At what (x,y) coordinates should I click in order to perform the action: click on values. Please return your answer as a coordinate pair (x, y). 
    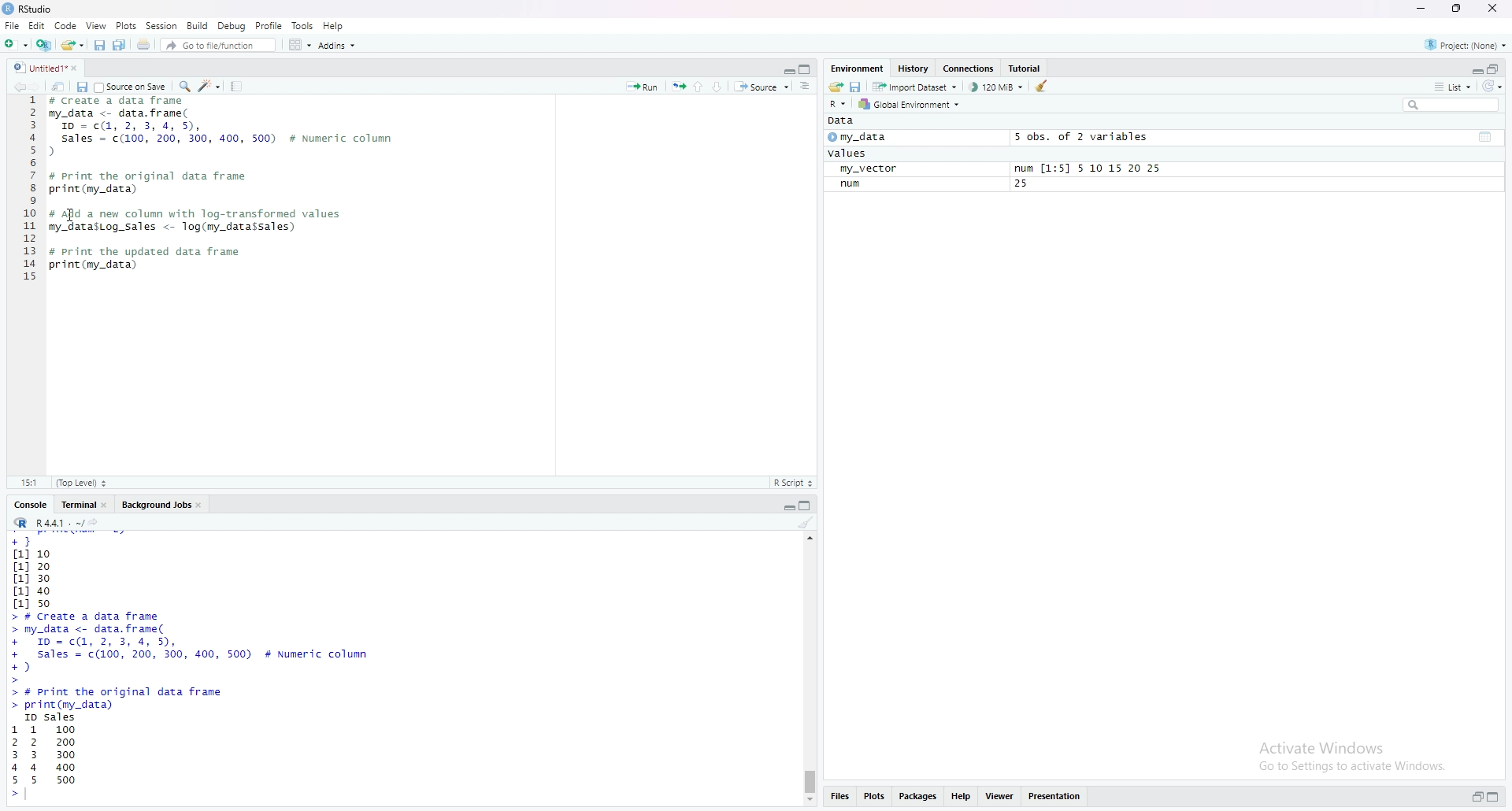
    Looking at the image, I should click on (847, 154).